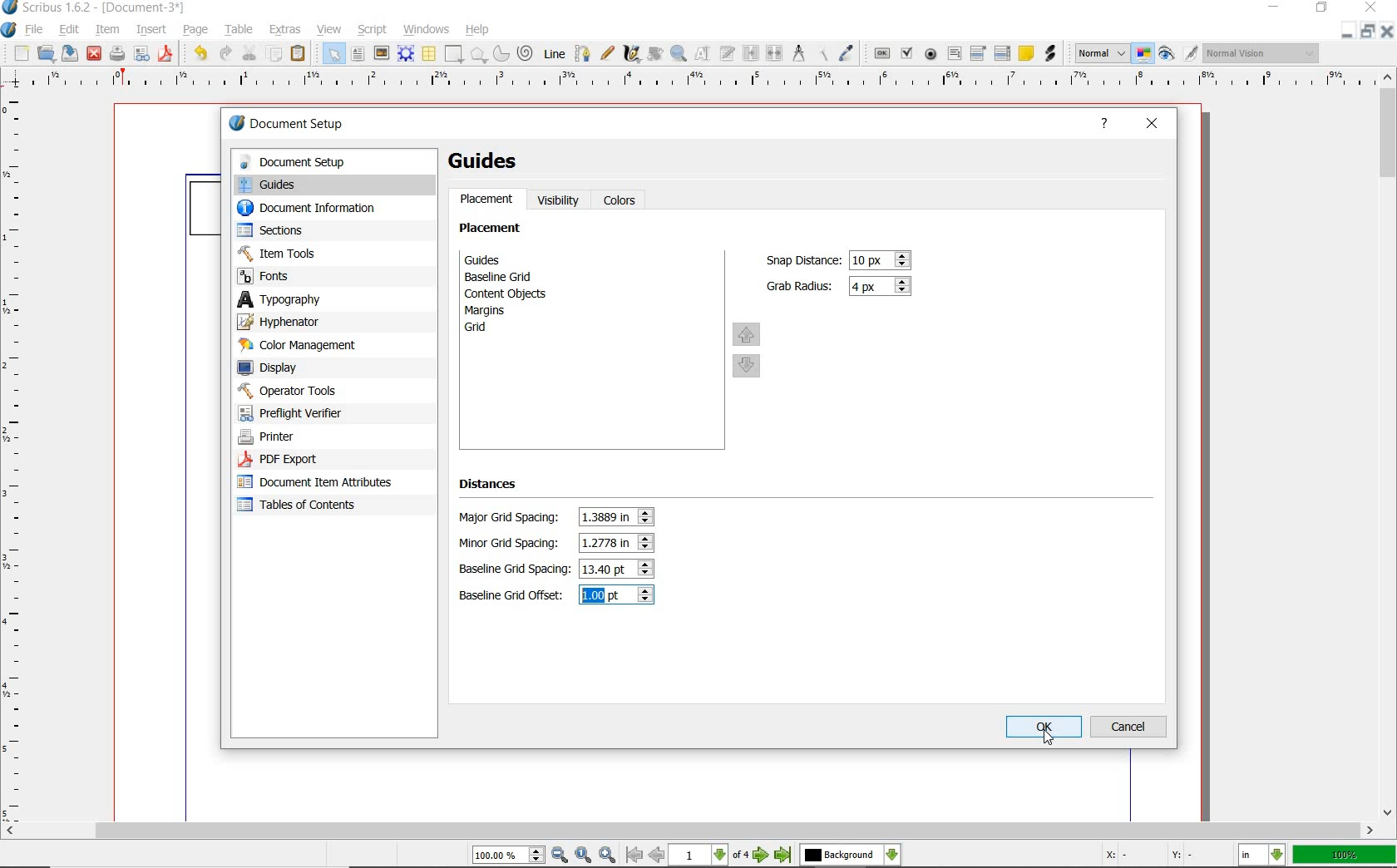 Image resolution: width=1397 pixels, height=868 pixels. What do you see at coordinates (495, 230) in the screenshot?
I see `placement` at bounding box center [495, 230].